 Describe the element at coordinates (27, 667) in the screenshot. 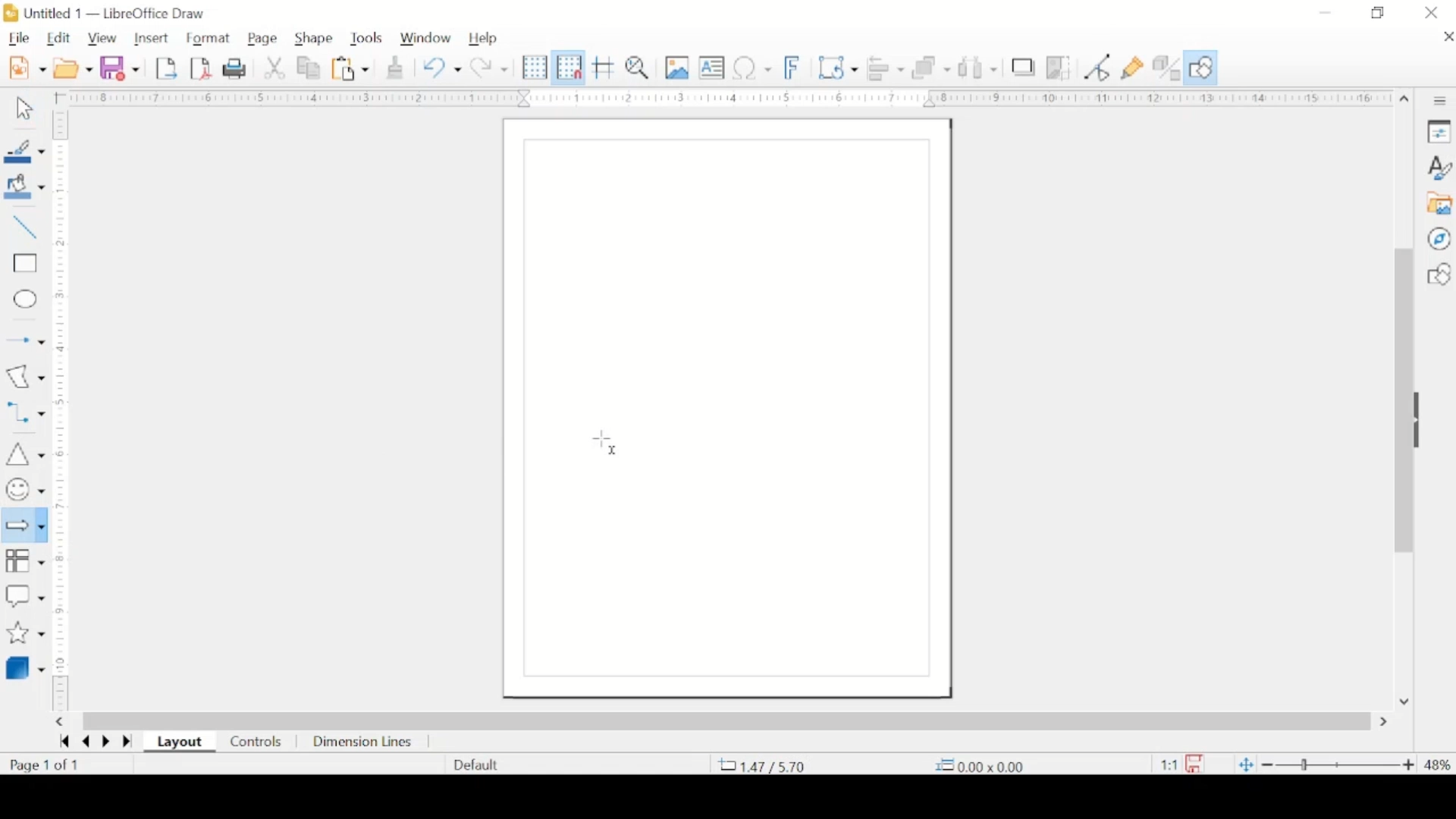

I see `3d object` at that location.